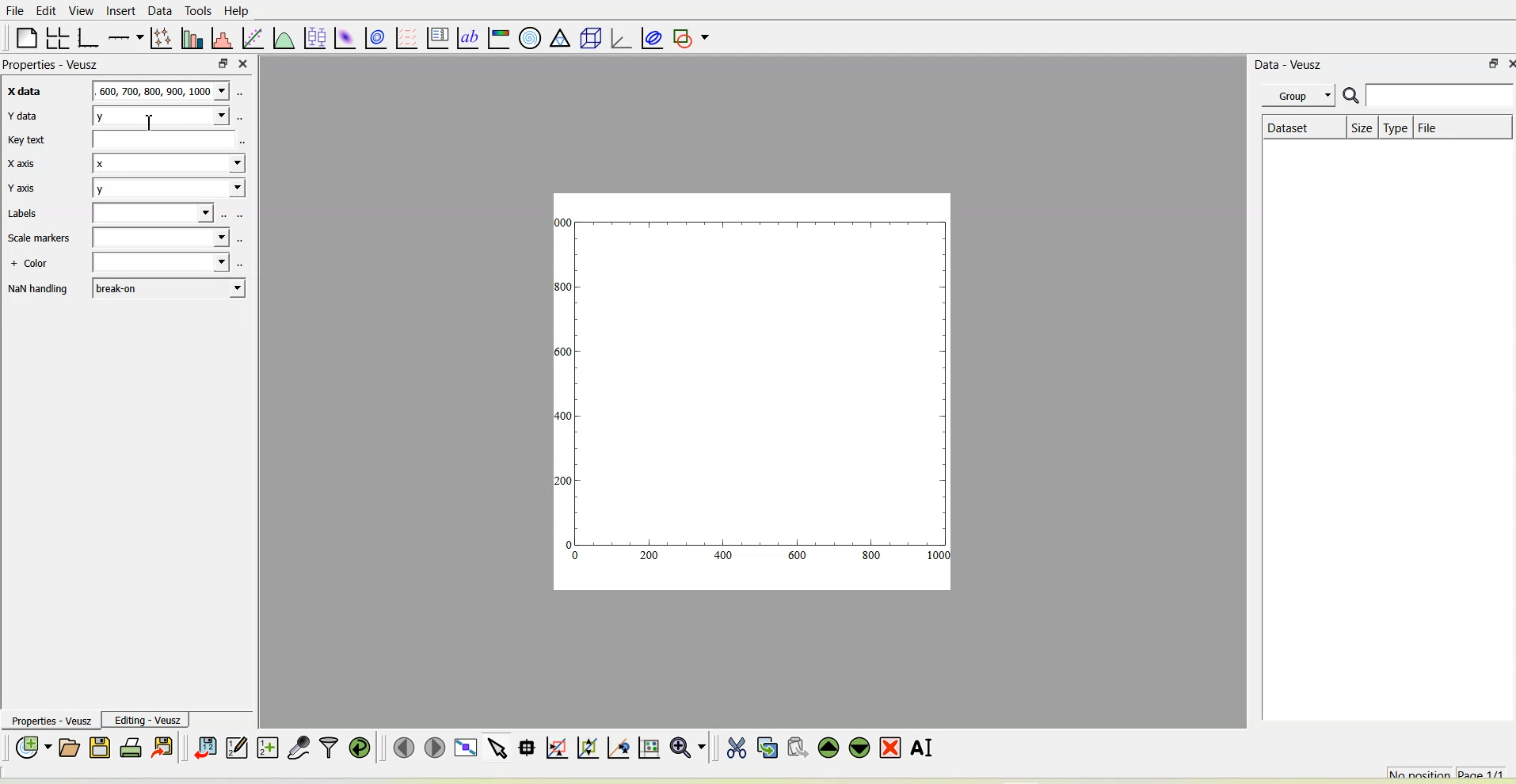  What do you see at coordinates (558, 748) in the screenshot?
I see `Click or draw a rectangle to zoom graph axes` at bounding box center [558, 748].